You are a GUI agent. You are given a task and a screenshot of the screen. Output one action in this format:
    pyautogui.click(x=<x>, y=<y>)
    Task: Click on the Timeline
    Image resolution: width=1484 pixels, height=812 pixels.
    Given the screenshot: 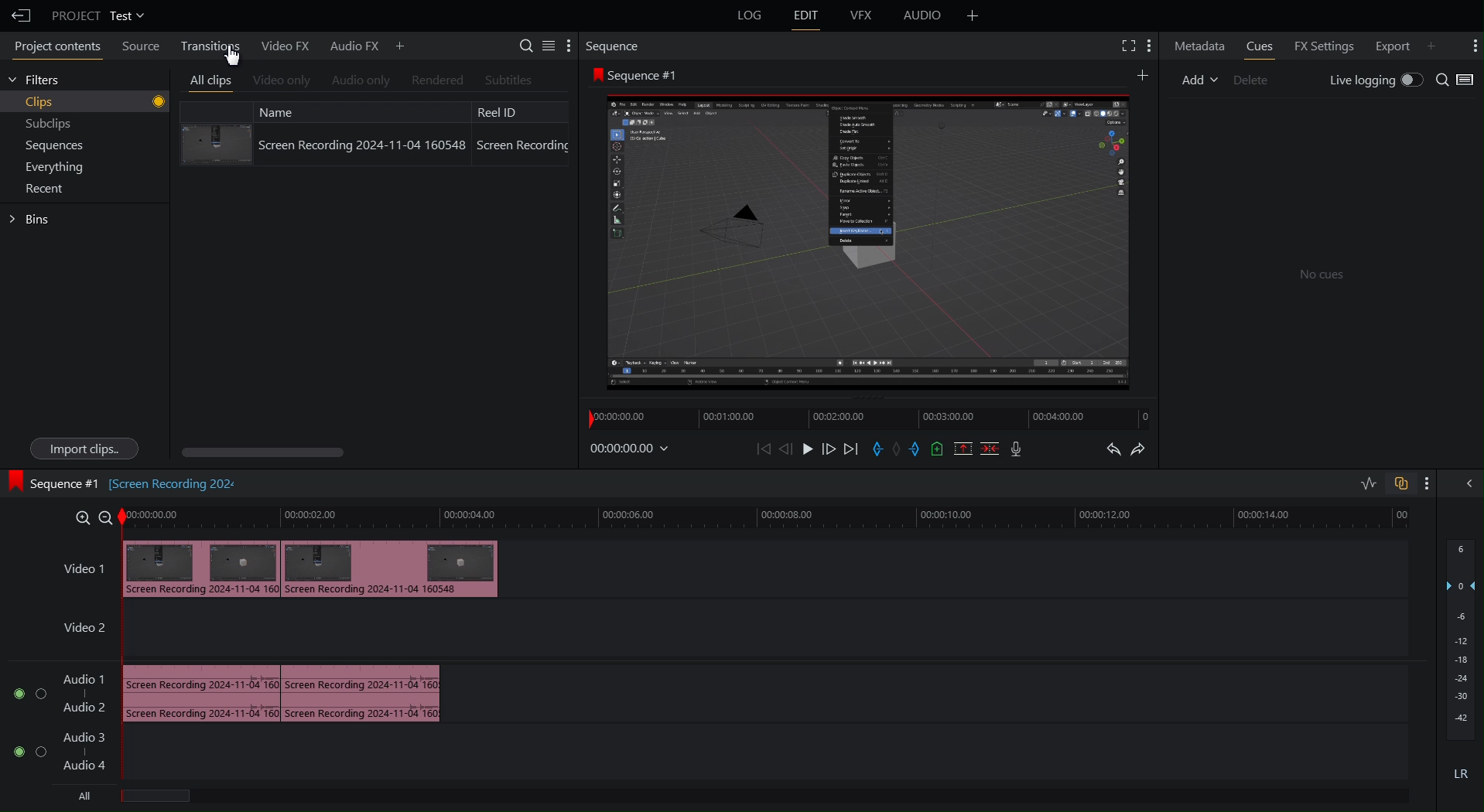 What is the action you would take?
    pyautogui.click(x=774, y=517)
    